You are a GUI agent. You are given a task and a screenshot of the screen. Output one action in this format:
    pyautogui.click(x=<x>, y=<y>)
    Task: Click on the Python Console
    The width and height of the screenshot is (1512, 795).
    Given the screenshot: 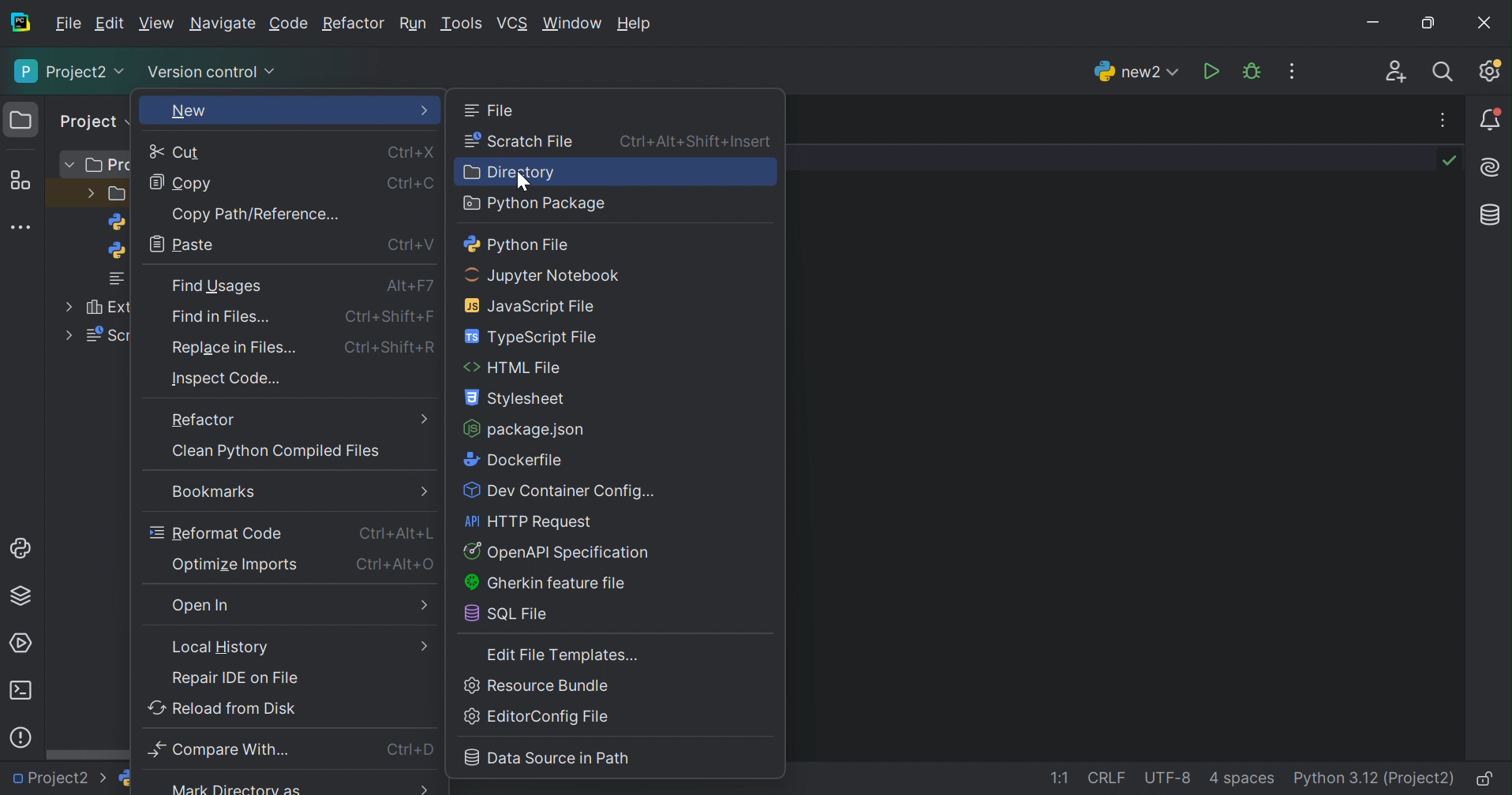 What is the action you would take?
    pyautogui.click(x=20, y=547)
    